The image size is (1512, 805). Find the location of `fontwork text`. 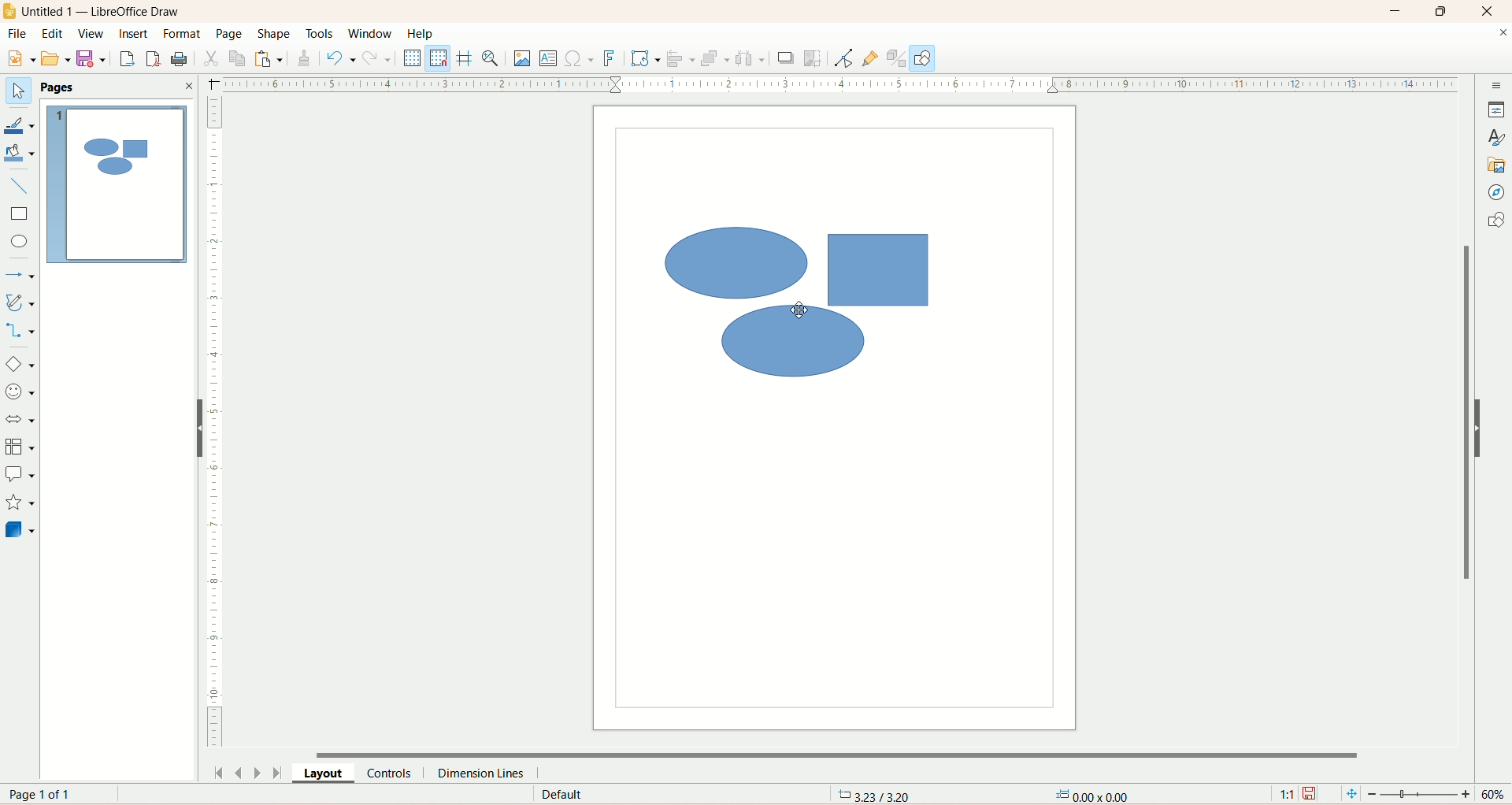

fontwork text is located at coordinates (611, 57).